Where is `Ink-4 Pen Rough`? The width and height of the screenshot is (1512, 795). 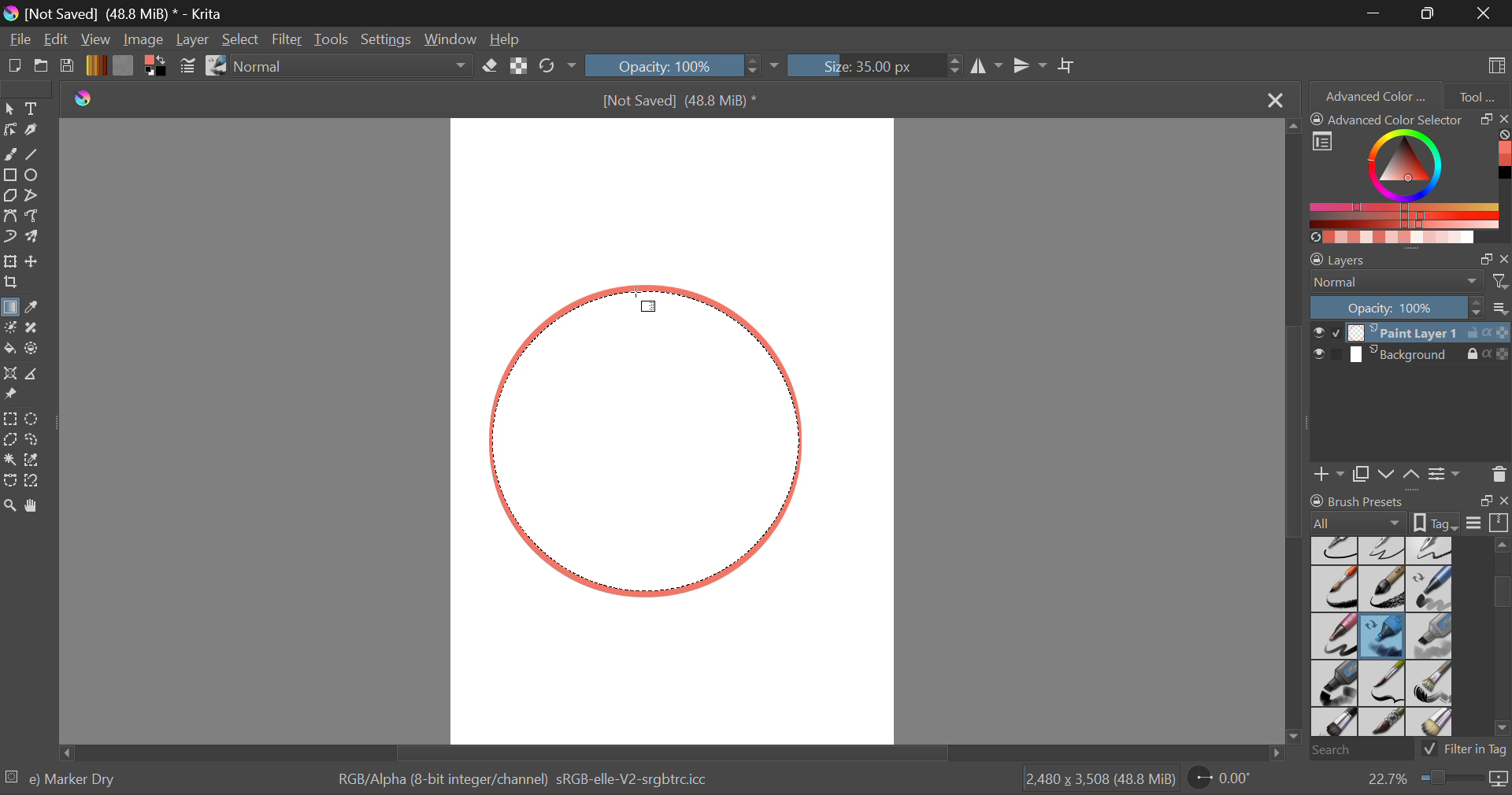
Ink-4 Pen Rough is located at coordinates (1430, 549).